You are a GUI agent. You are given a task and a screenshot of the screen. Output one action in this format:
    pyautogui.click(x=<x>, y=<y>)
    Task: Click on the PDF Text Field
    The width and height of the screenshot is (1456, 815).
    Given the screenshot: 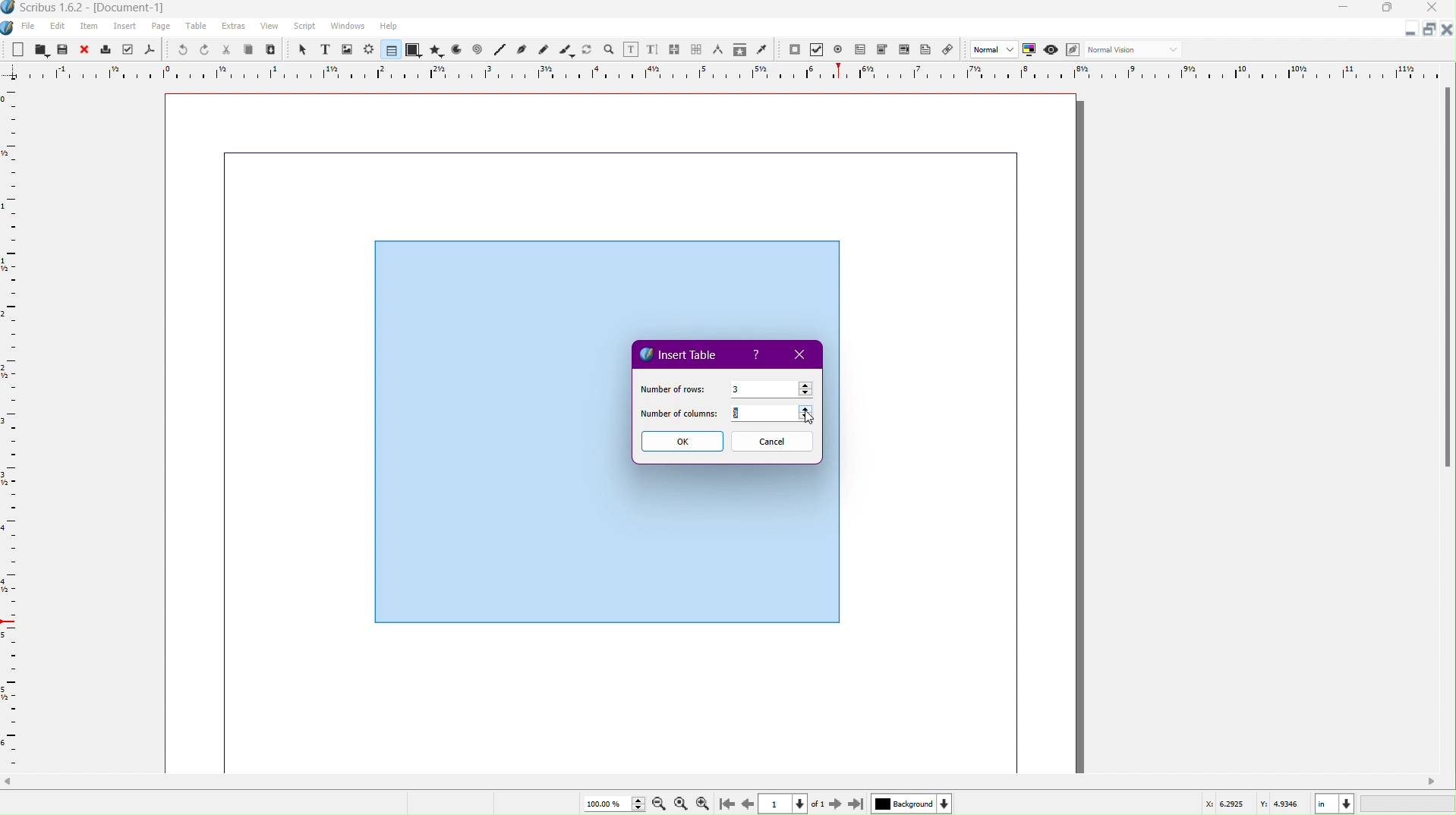 What is the action you would take?
    pyautogui.click(x=863, y=52)
    